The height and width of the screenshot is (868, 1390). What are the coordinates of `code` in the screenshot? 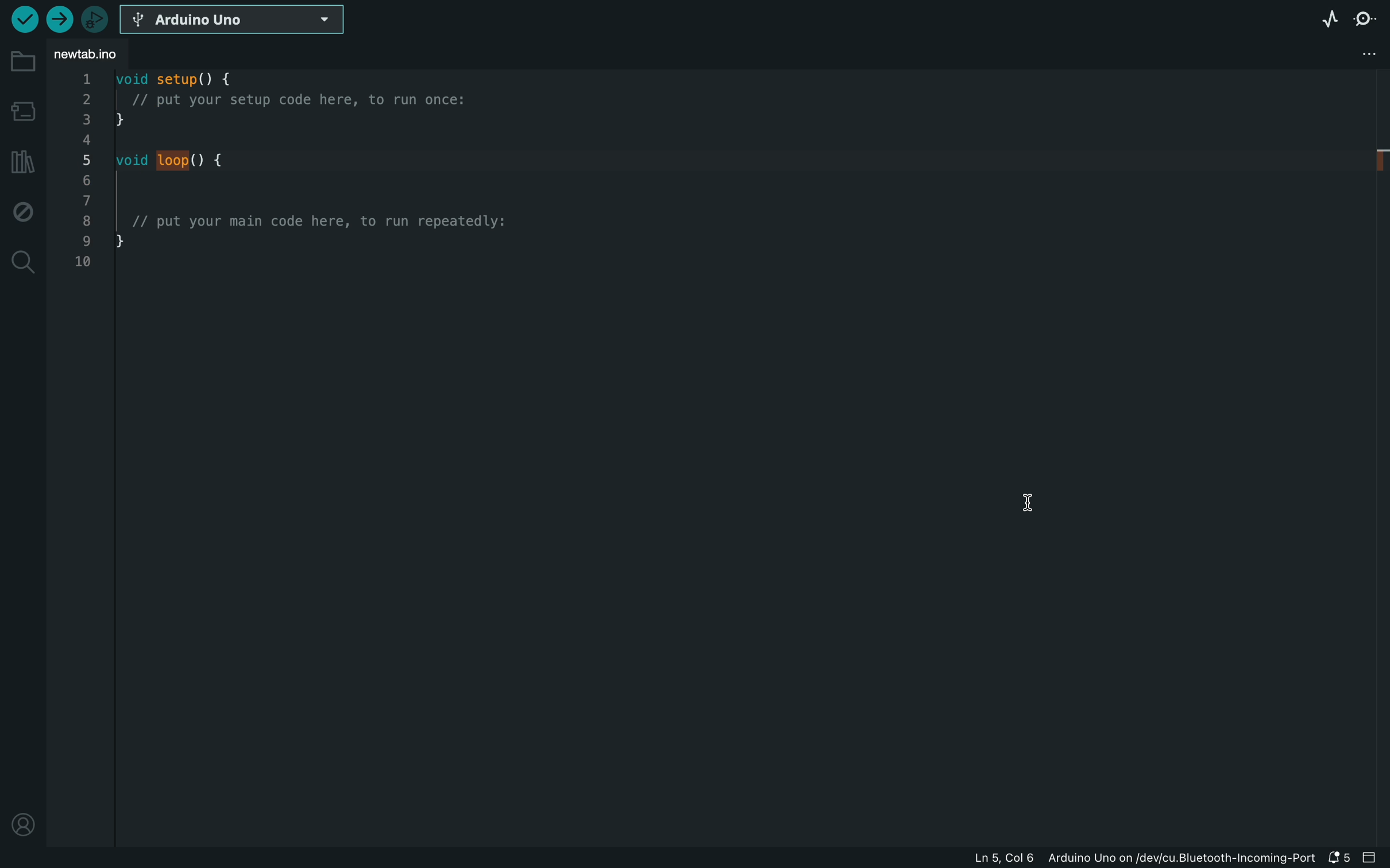 It's located at (296, 203).